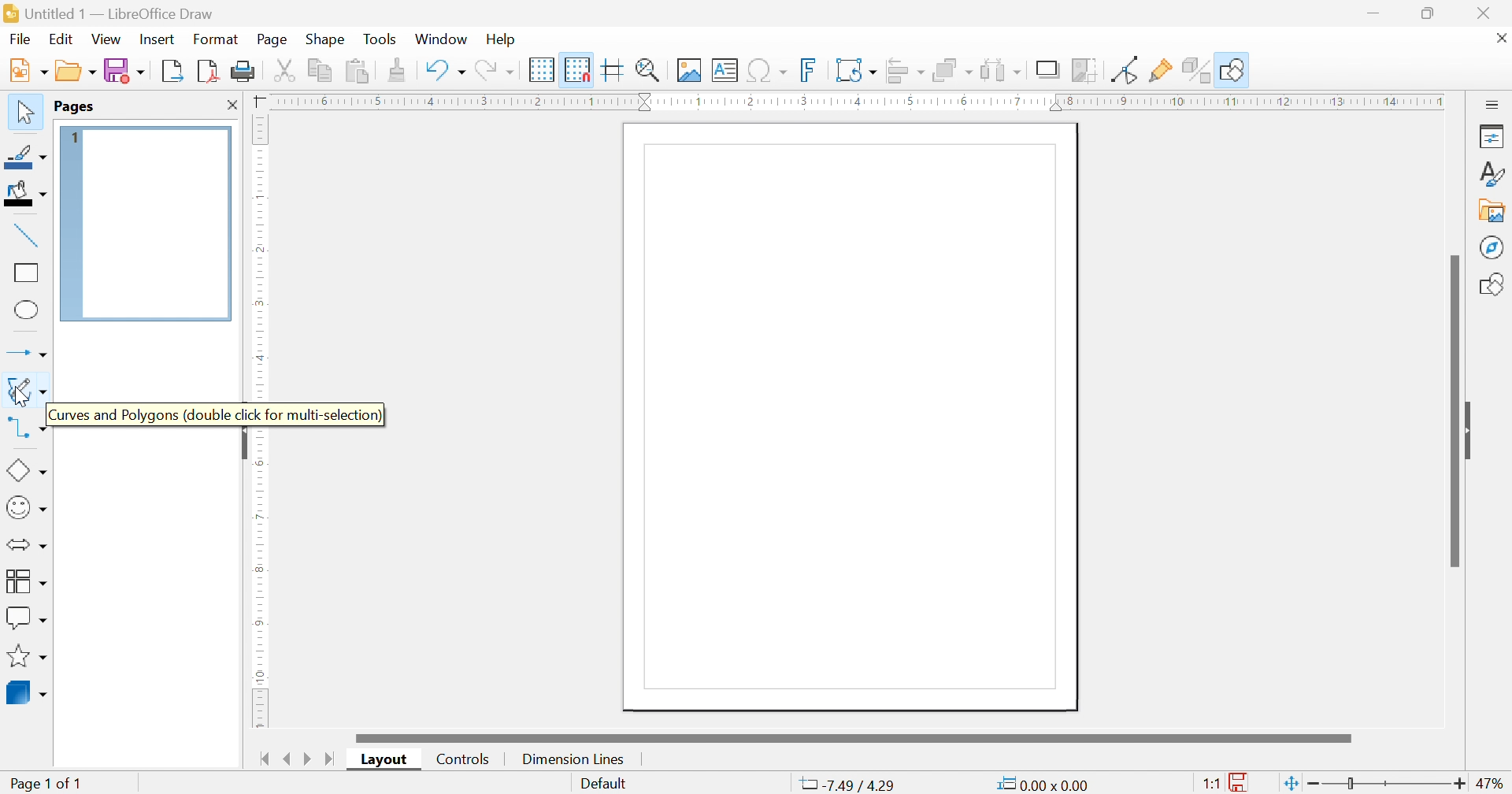 Image resolution: width=1512 pixels, height=794 pixels. Describe the element at coordinates (650, 70) in the screenshot. I see `zoom & plan` at that location.